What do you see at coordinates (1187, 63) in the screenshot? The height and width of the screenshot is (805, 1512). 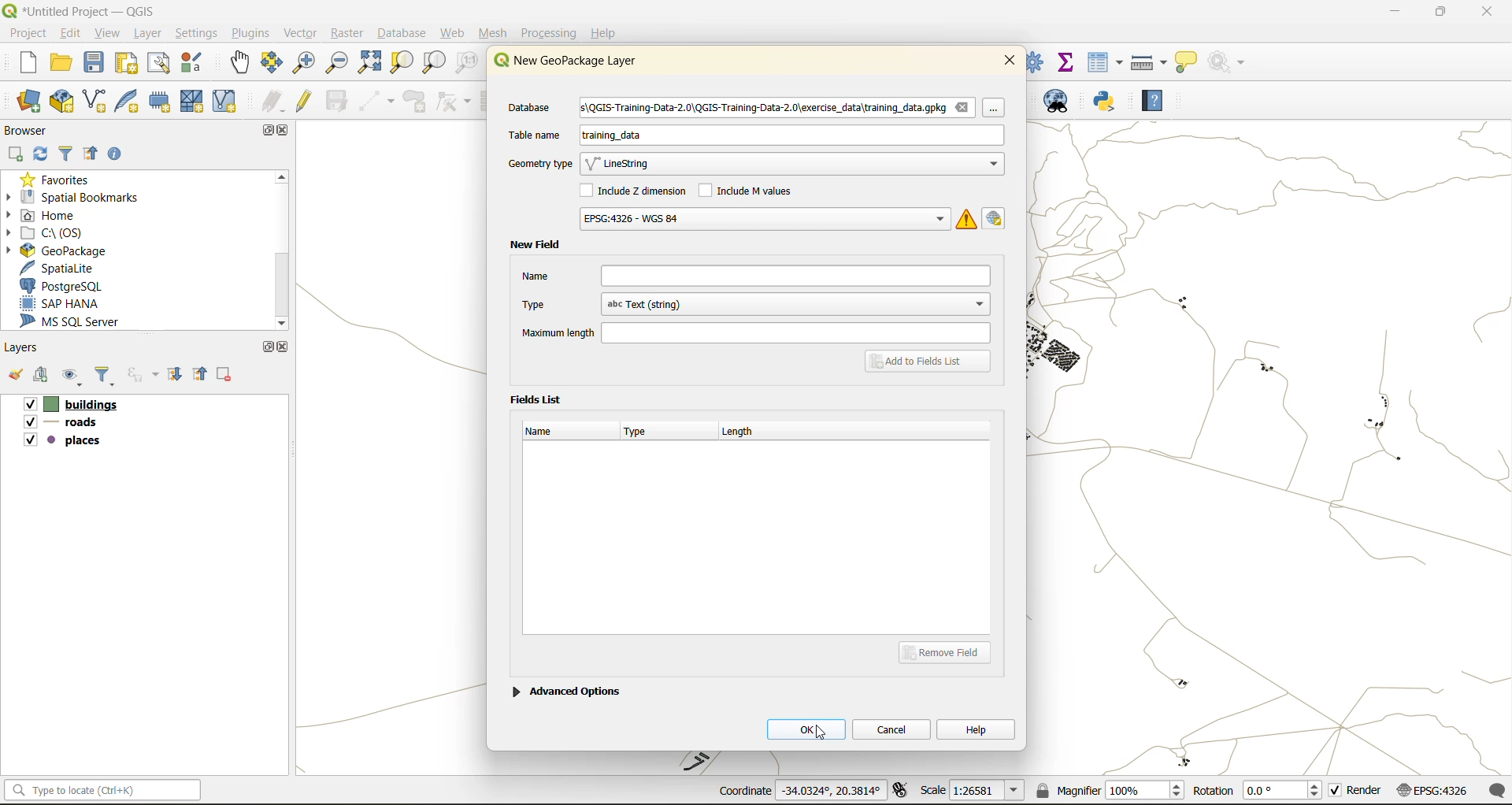 I see `show tips` at bounding box center [1187, 63].